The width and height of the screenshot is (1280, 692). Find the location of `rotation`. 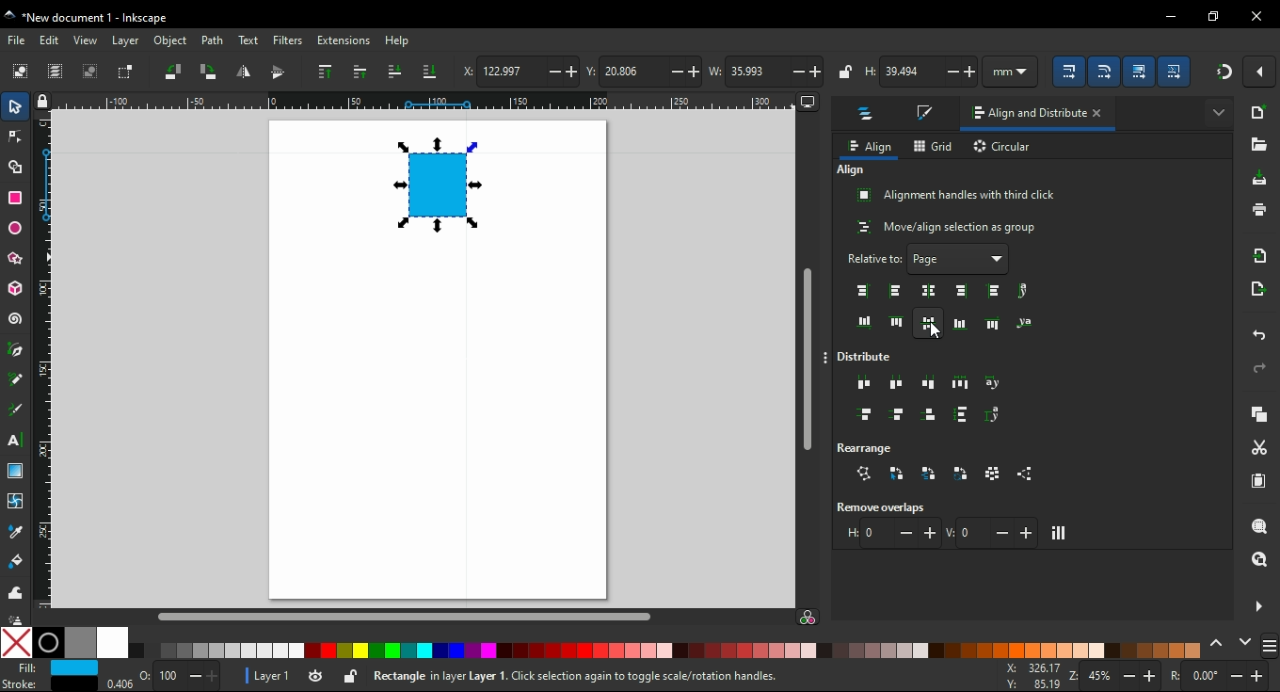

rotation is located at coordinates (1220, 676).